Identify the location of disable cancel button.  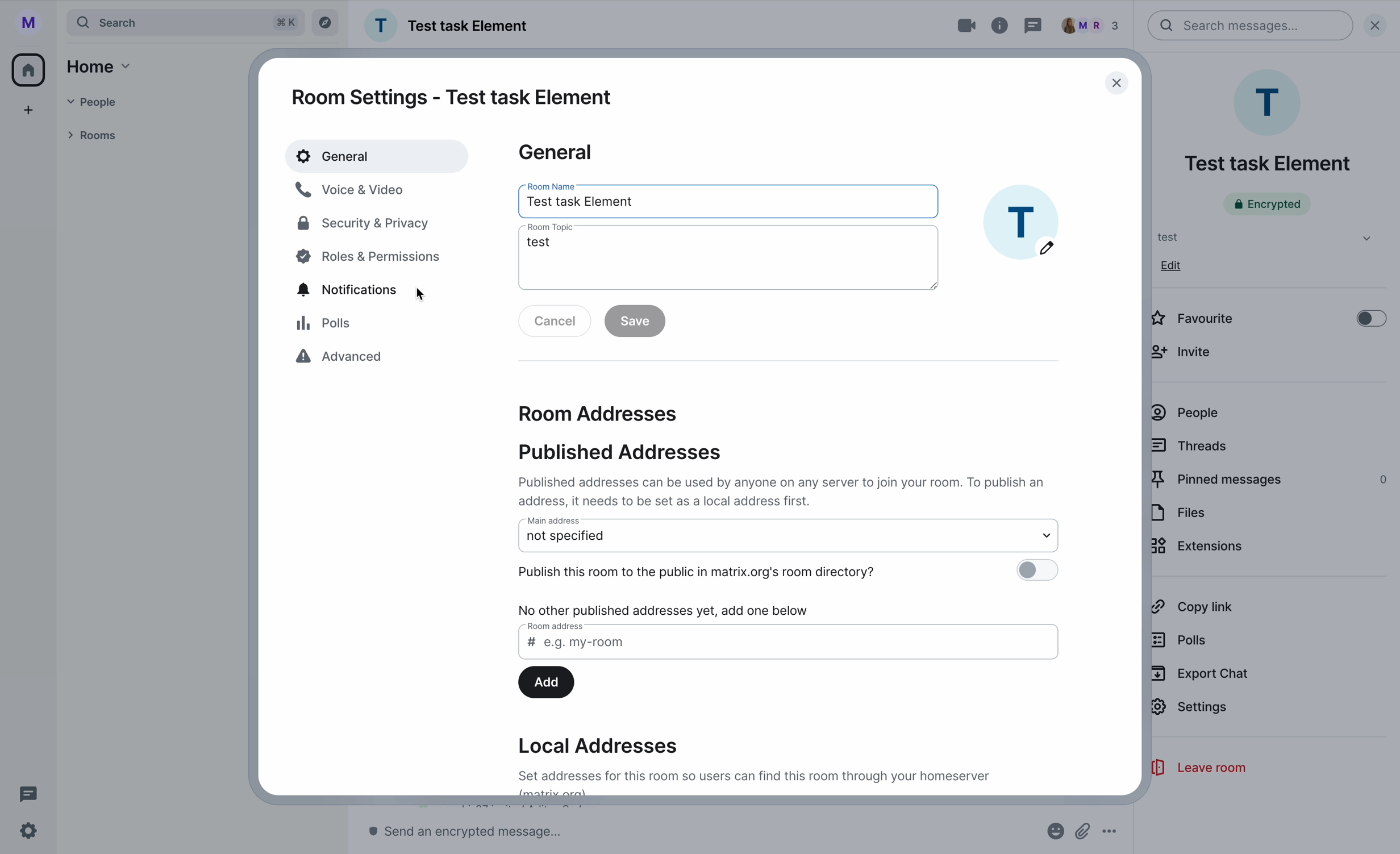
(556, 320).